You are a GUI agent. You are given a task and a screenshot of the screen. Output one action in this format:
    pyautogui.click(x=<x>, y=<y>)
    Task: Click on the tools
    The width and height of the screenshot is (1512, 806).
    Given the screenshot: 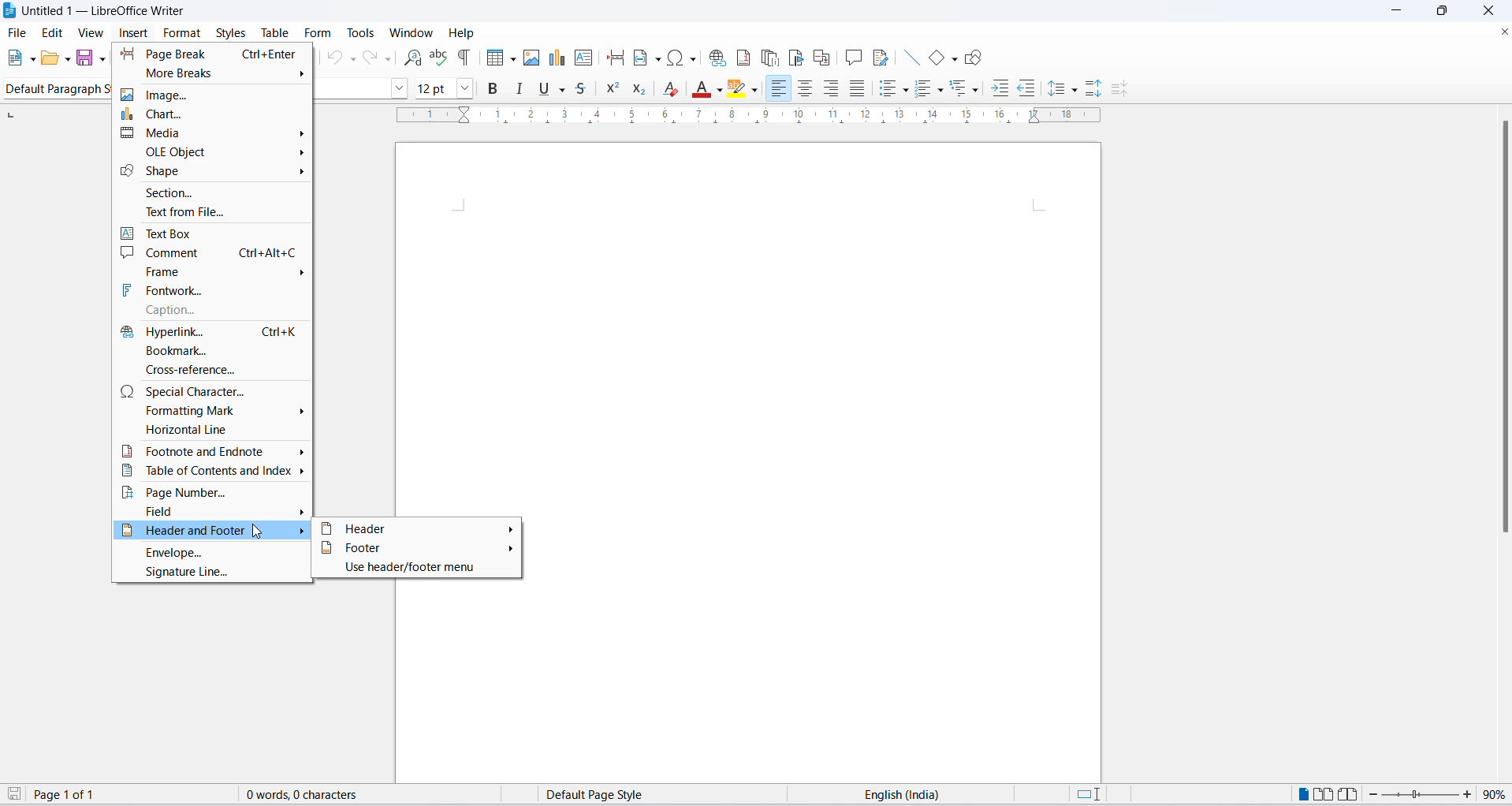 What is the action you would take?
    pyautogui.click(x=362, y=31)
    